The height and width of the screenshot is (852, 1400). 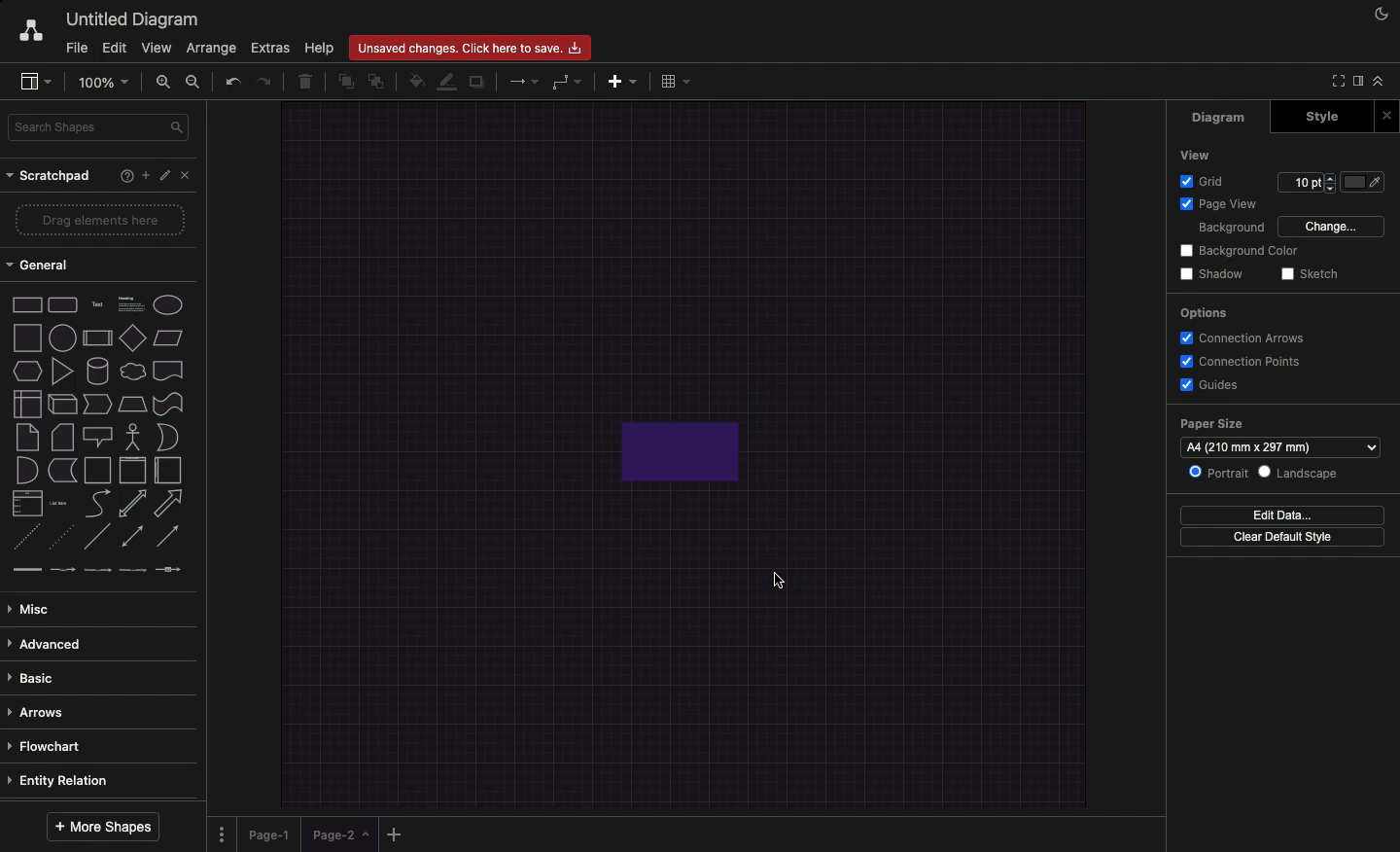 I want to click on Background, so click(x=1234, y=228).